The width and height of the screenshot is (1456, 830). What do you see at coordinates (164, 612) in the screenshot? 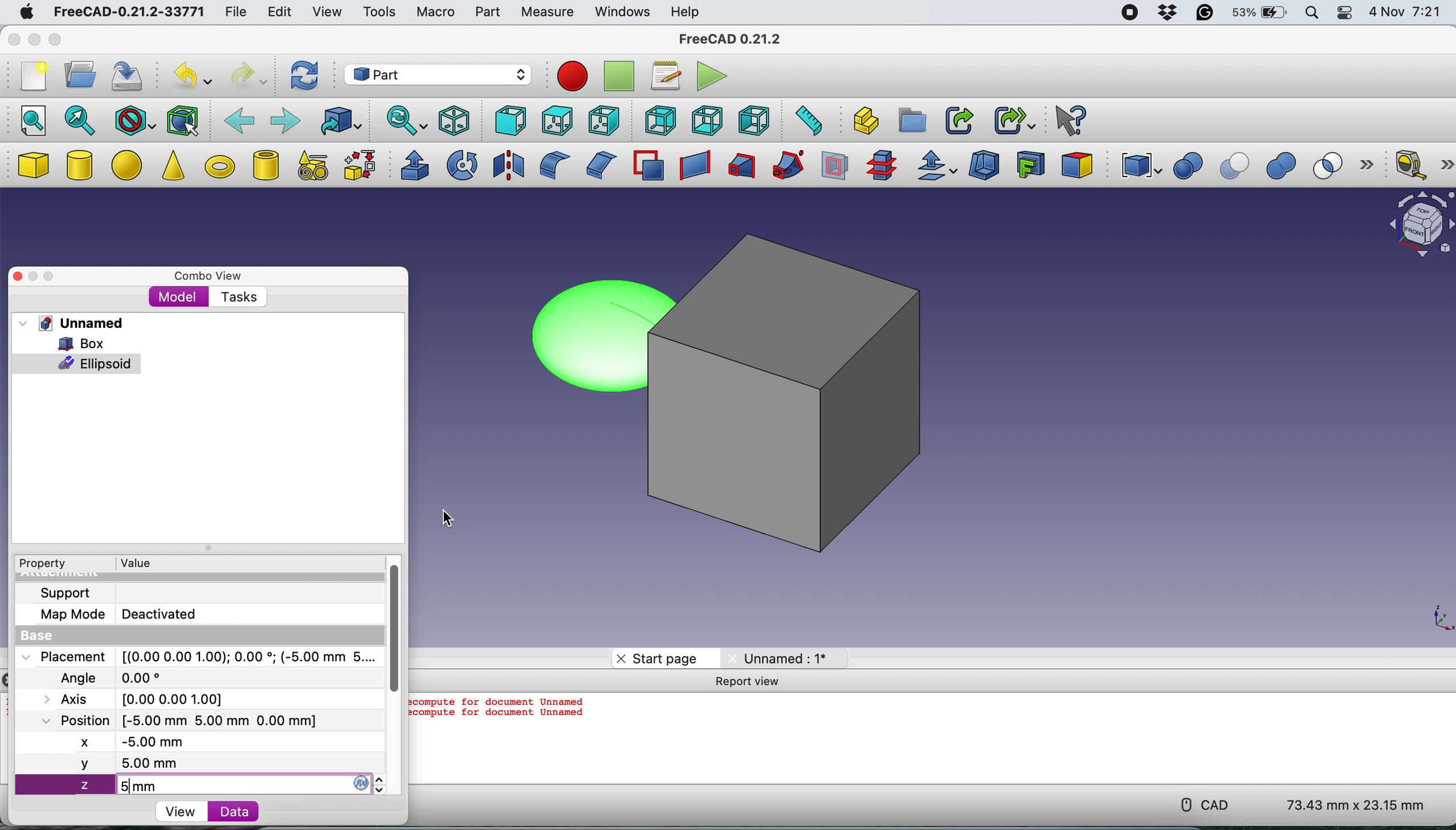
I see `Deactivated` at bounding box center [164, 612].